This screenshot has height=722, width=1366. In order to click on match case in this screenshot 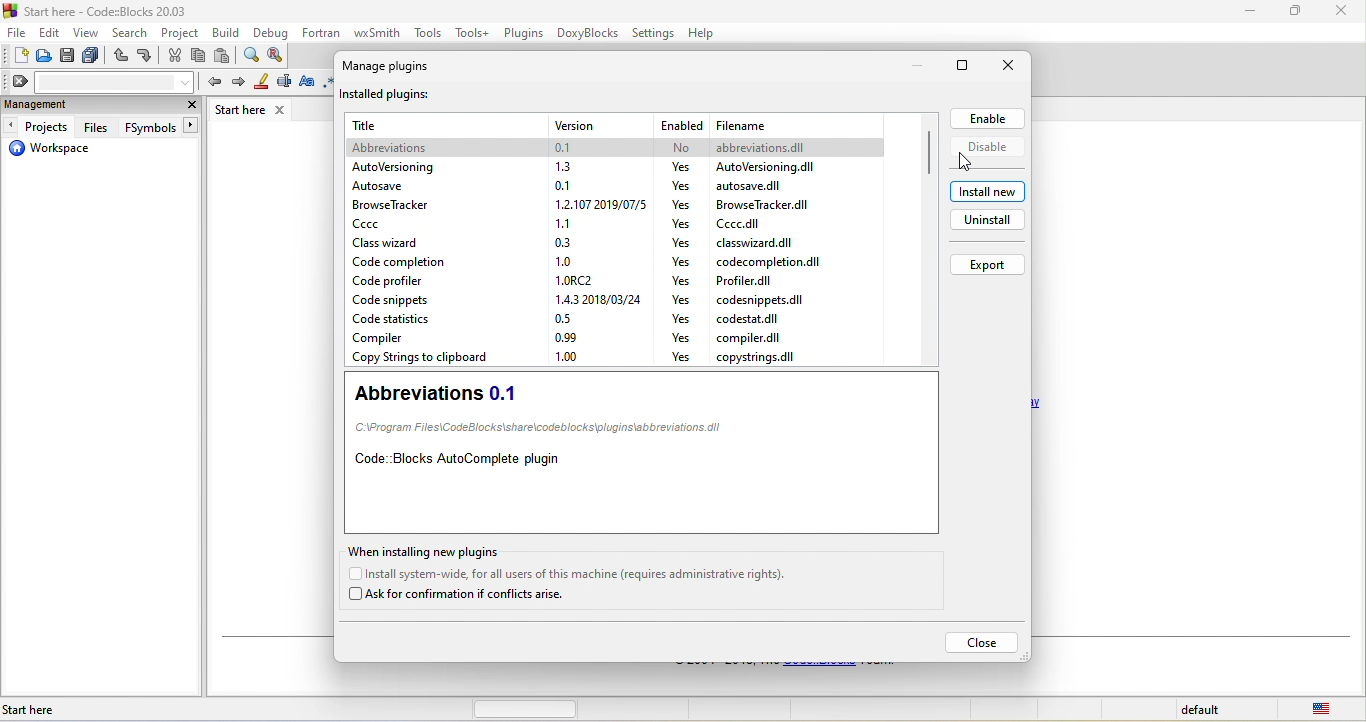, I will do `click(307, 83)`.